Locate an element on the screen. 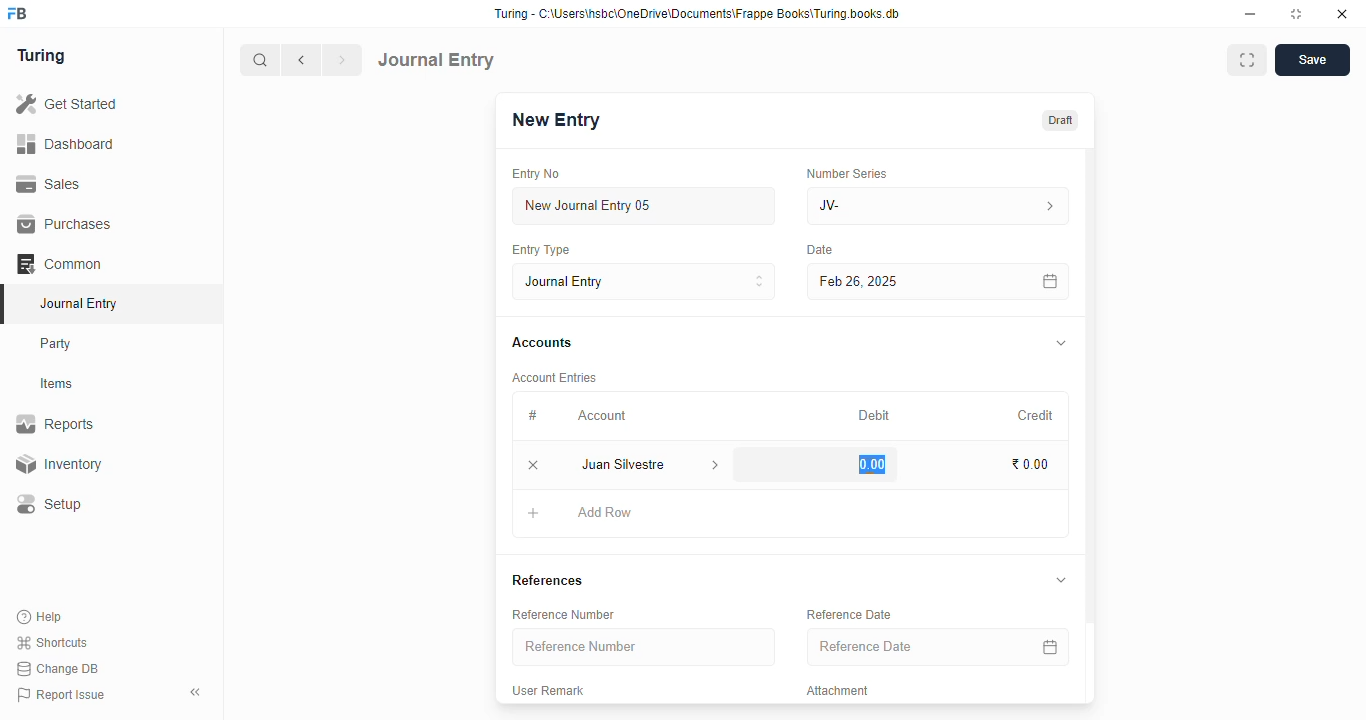 This screenshot has width=1366, height=720. remove is located at coordinates (535, 466).